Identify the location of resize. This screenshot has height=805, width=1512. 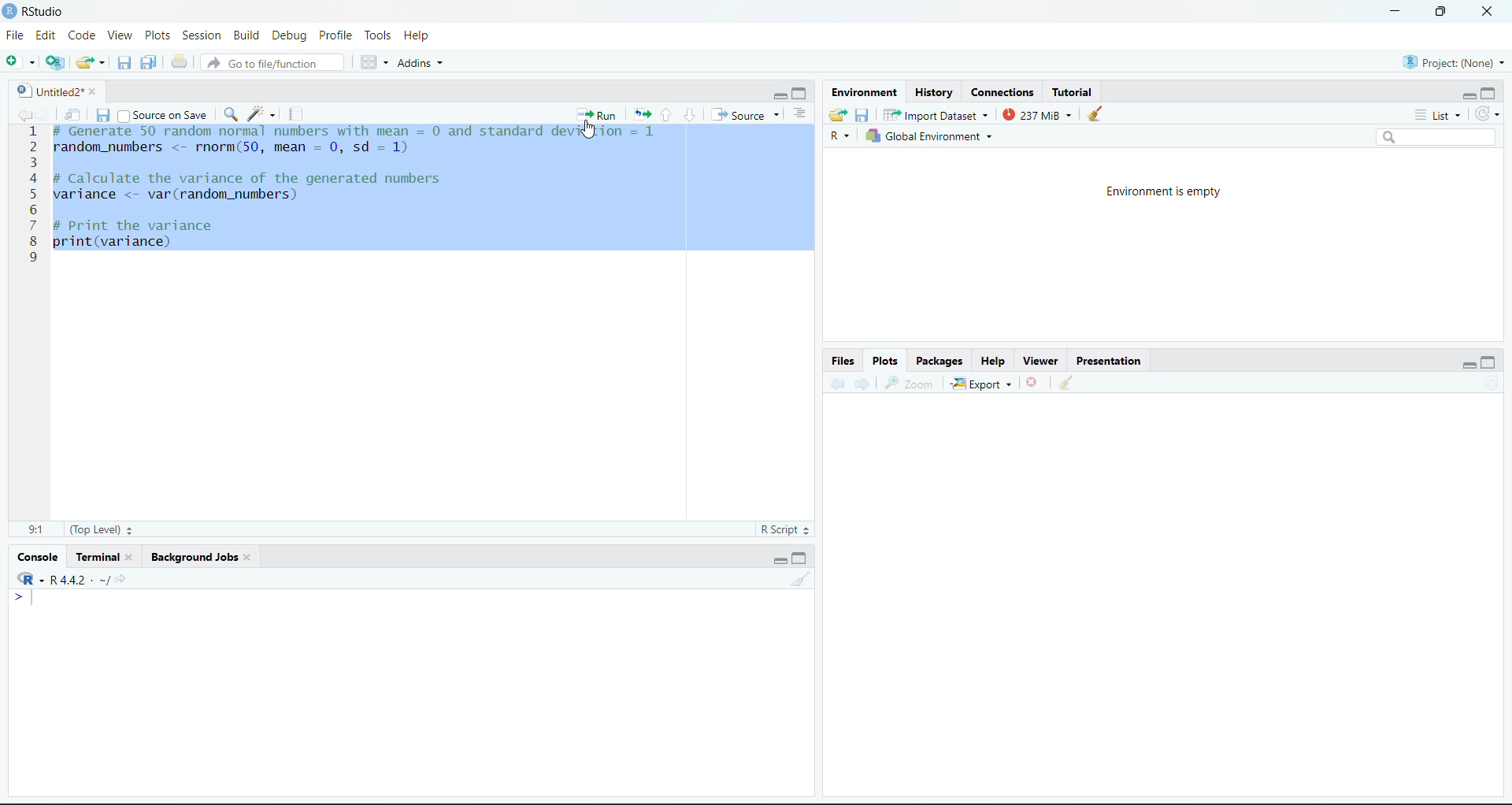
(1441, 10).